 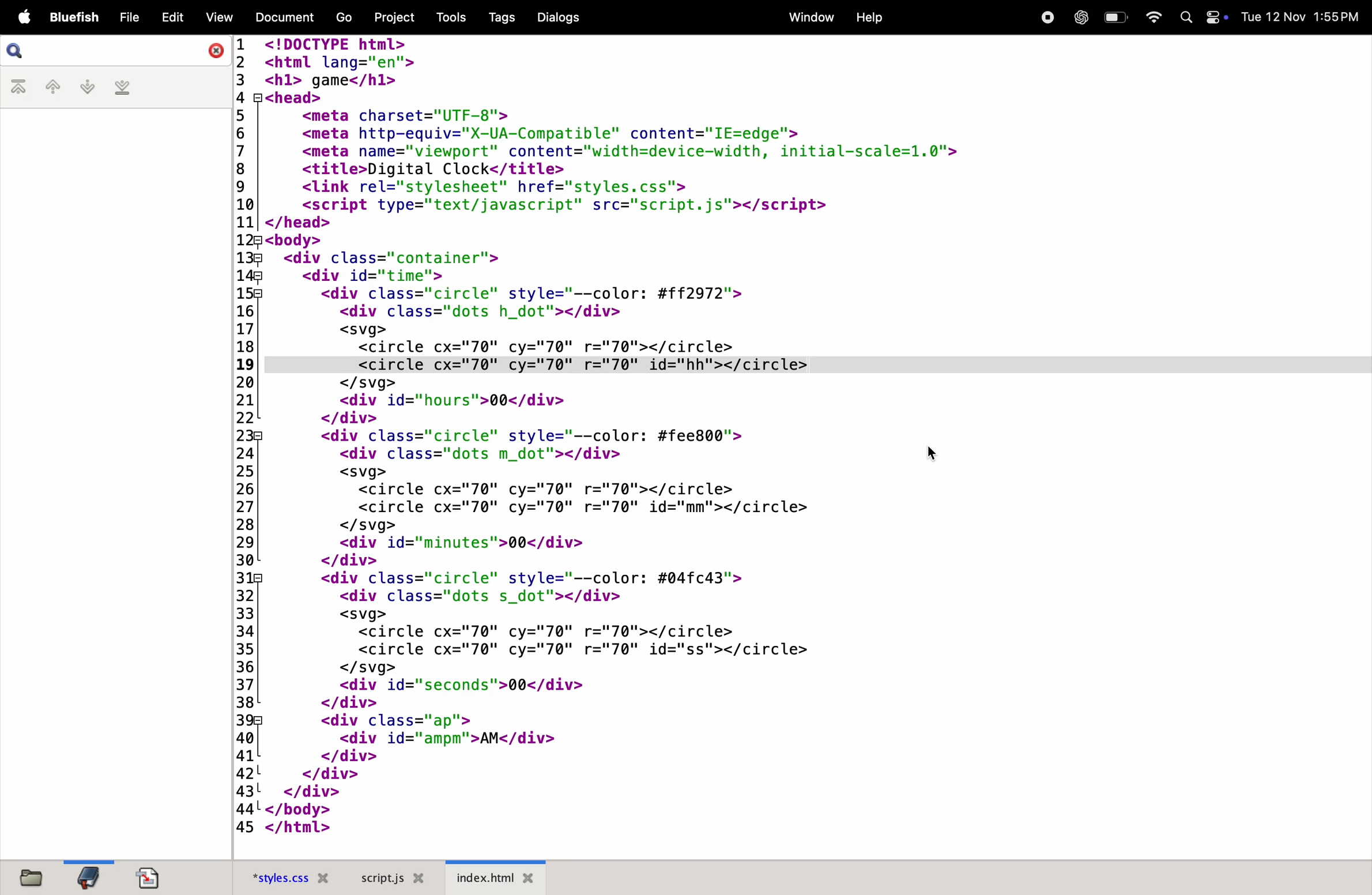 What do you see at coordinates (172, 16) in the screenshot?
I see `edit` at bounding box center [172, 16].